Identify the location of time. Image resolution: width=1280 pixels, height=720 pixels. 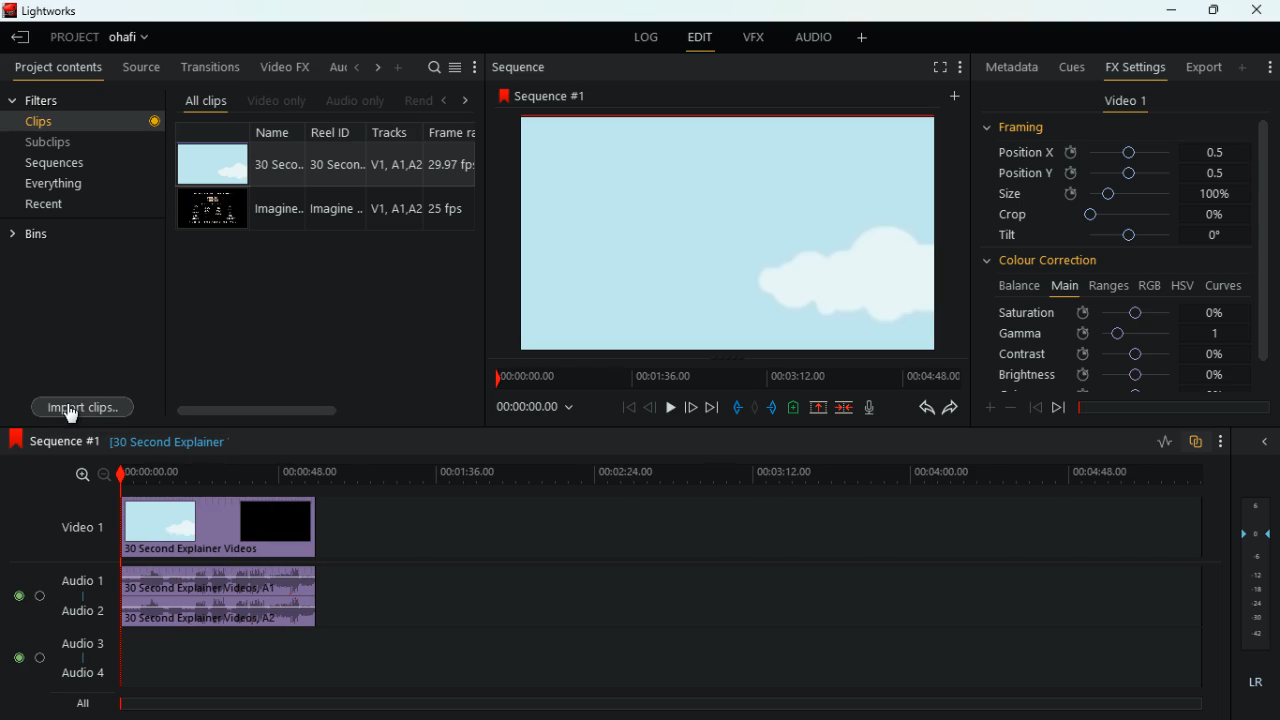
(659, 475).